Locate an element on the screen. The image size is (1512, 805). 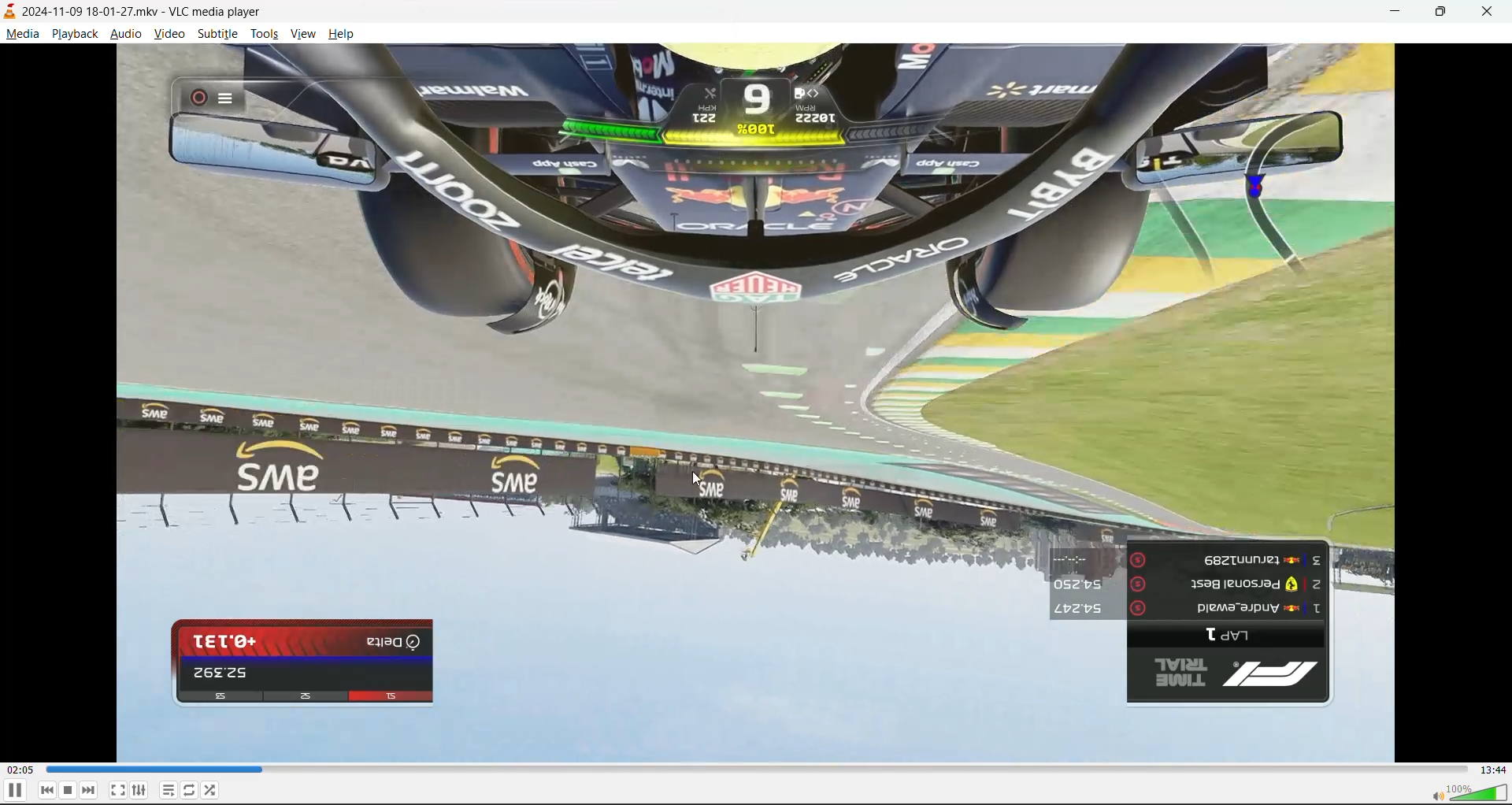
maximize is located at coordinates (1449, 13).